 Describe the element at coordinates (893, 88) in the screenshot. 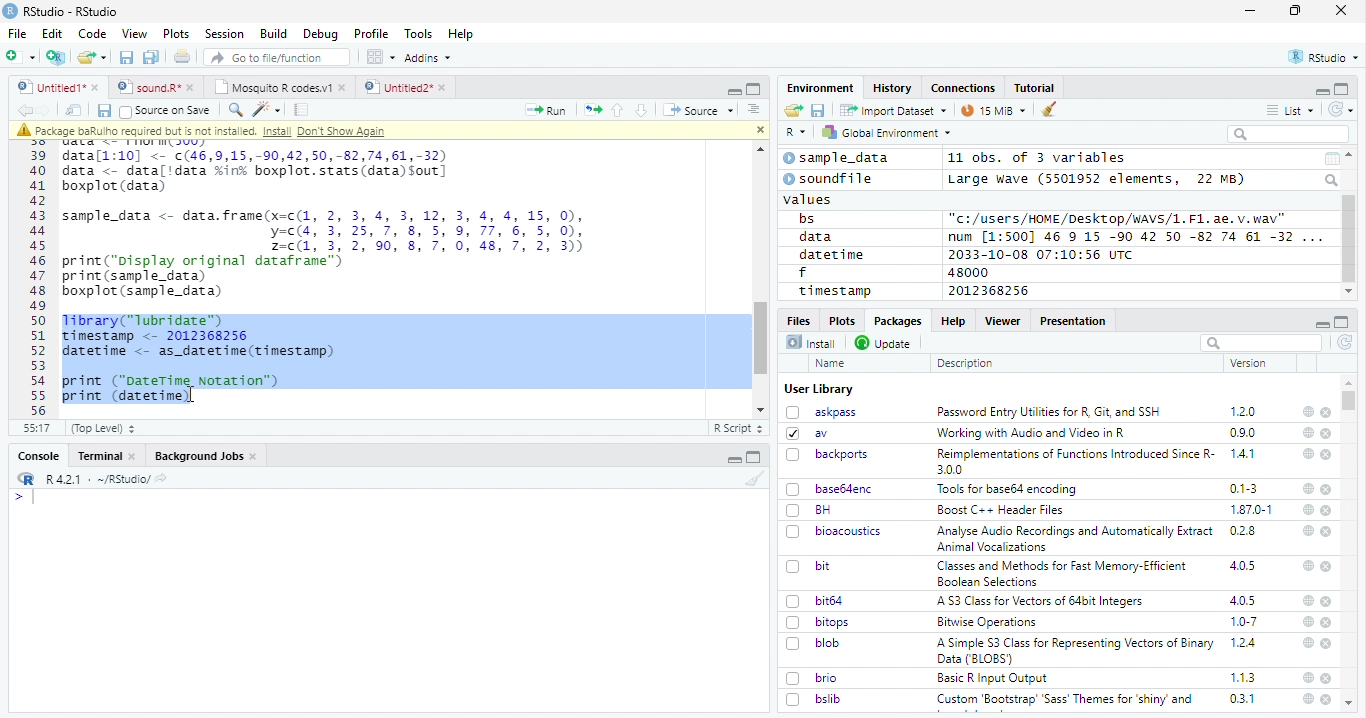

I see `History` at that location.